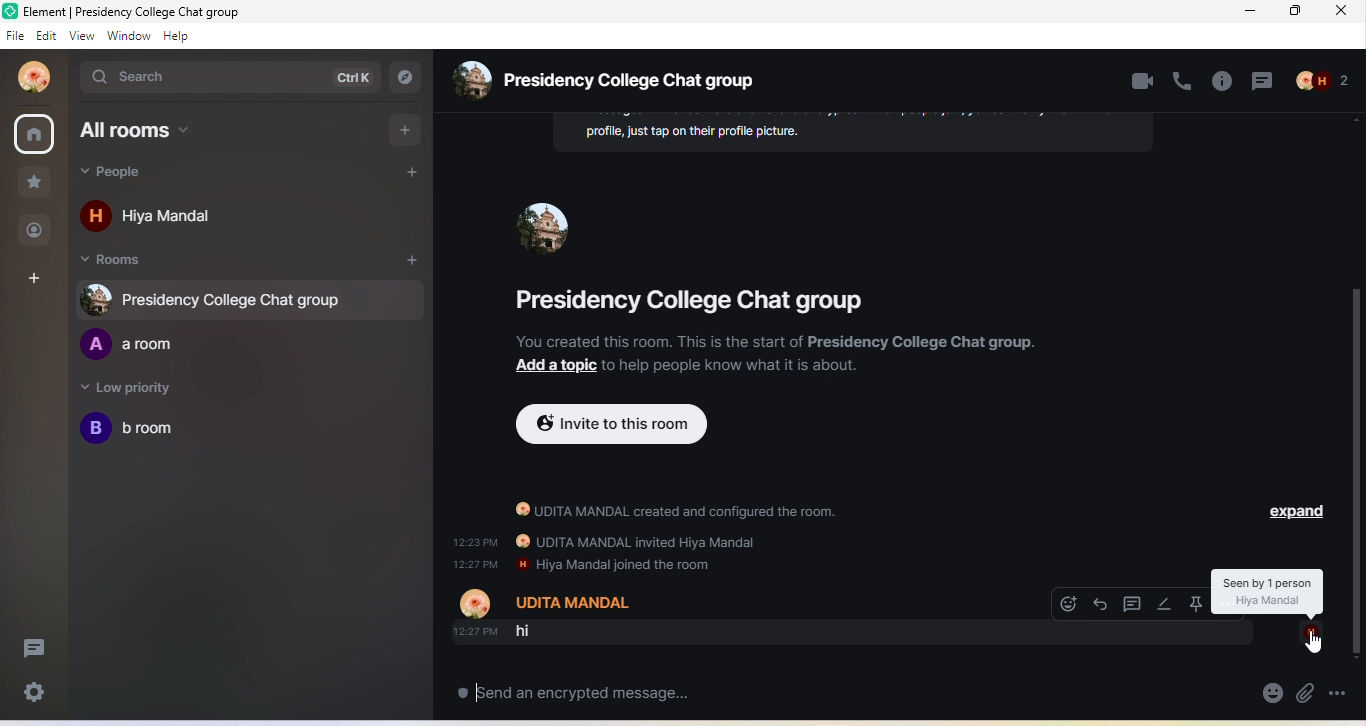  I want to click on presidency college chat group, so click(215, 299).